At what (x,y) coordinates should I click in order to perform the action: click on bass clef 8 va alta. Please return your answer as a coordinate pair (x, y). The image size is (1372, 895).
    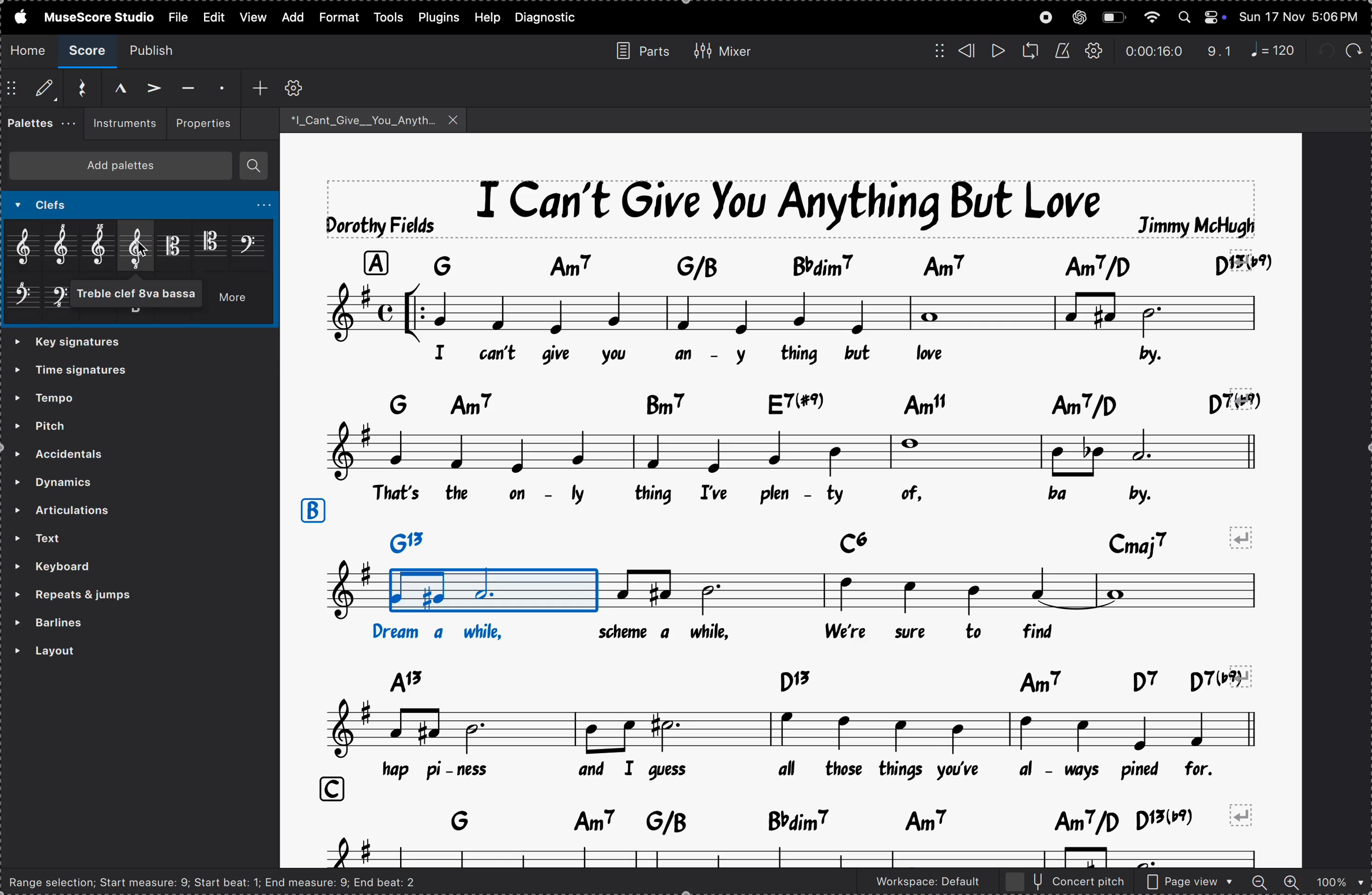
    Looking at the image, I should click on (24, 300).